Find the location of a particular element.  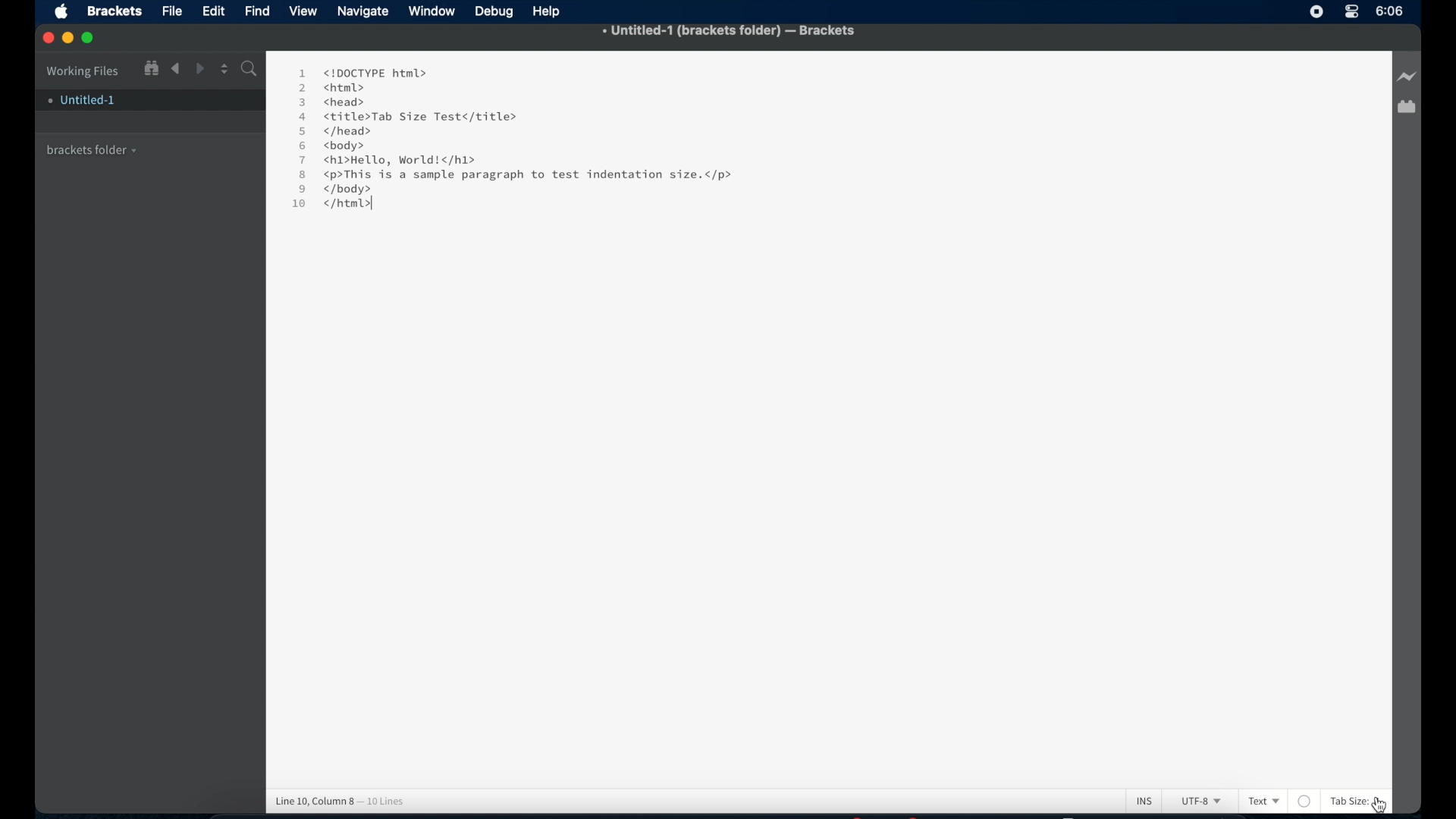

Find is located at coordinates (258, 10).